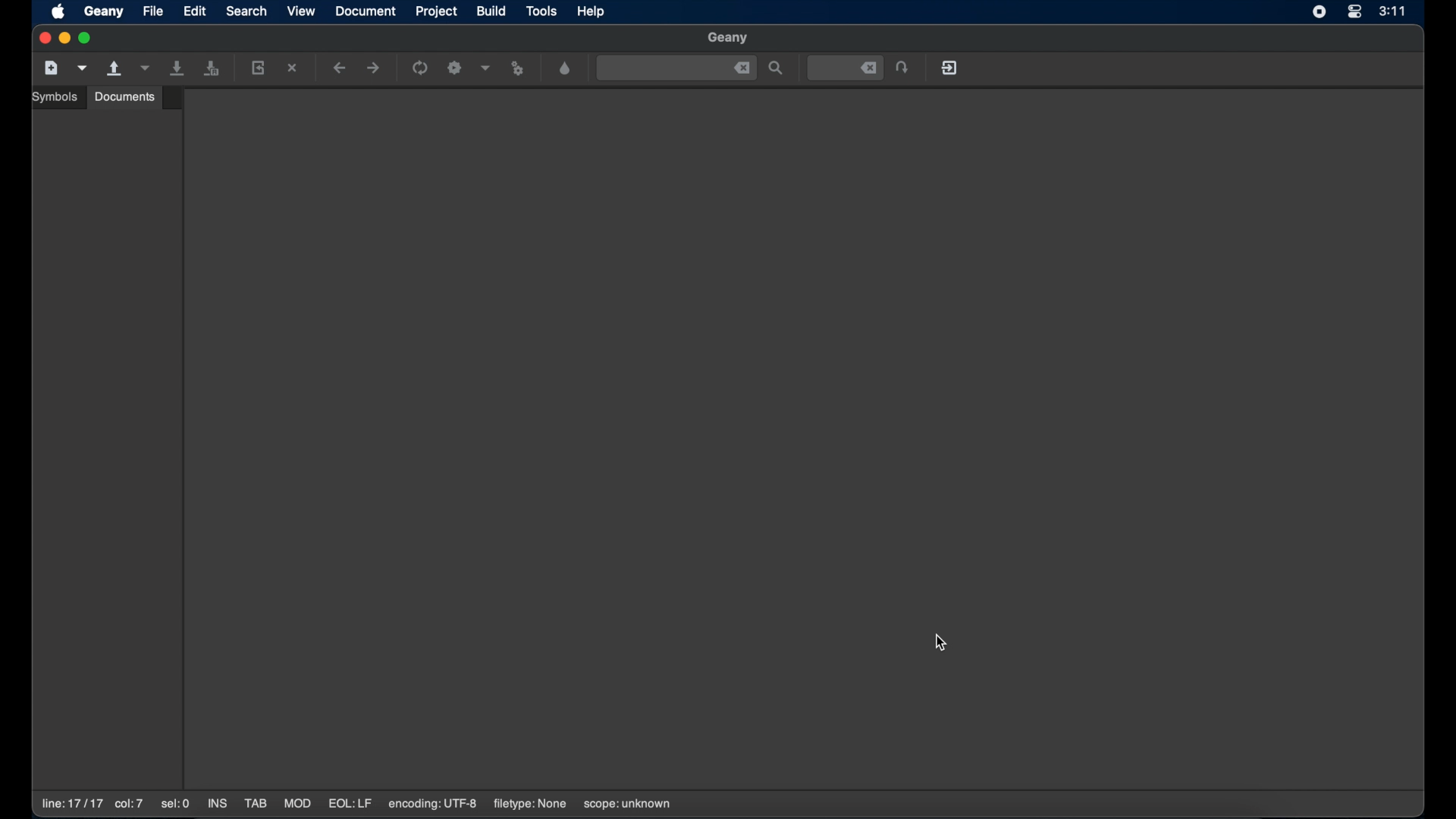 This screenshot has width=1456, height=819. Describe the element at coordinates (83, 68) in the screenshot. I see `create a new file from template` at that location.